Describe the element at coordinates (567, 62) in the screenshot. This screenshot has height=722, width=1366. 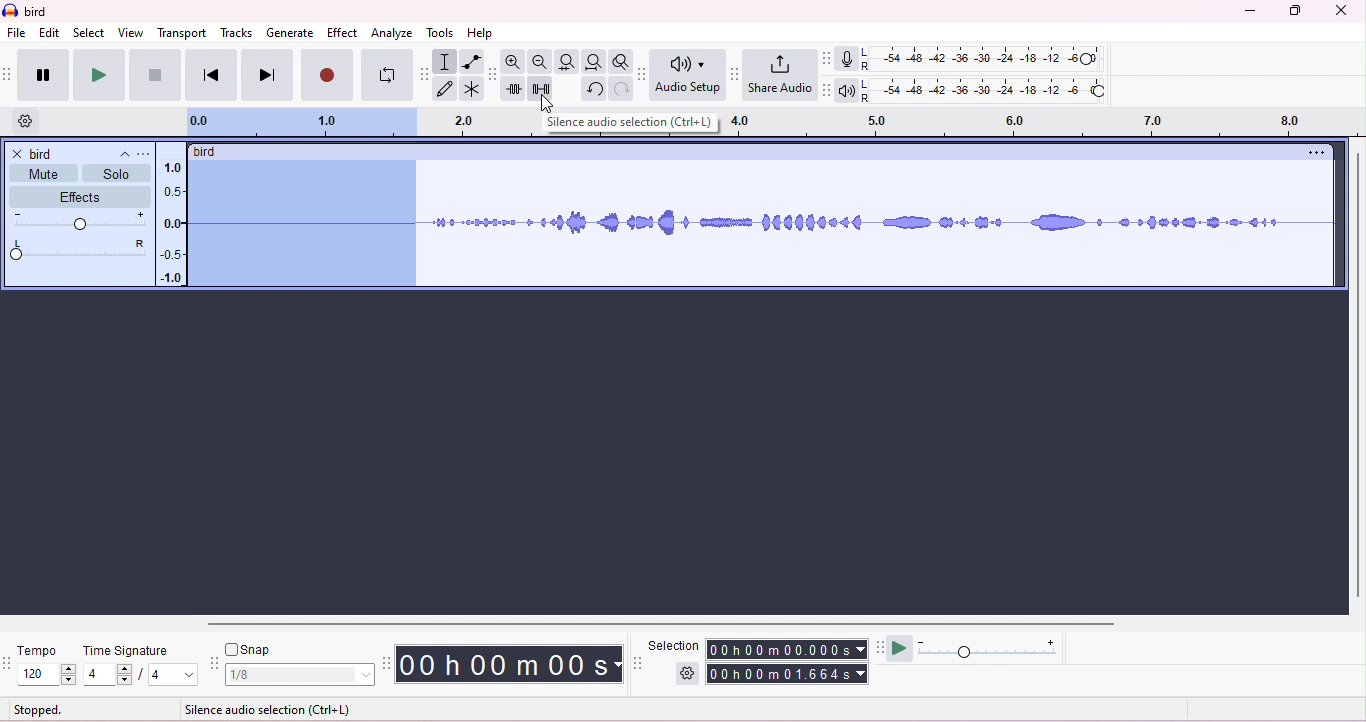
I see `fit selection to width` at that location.